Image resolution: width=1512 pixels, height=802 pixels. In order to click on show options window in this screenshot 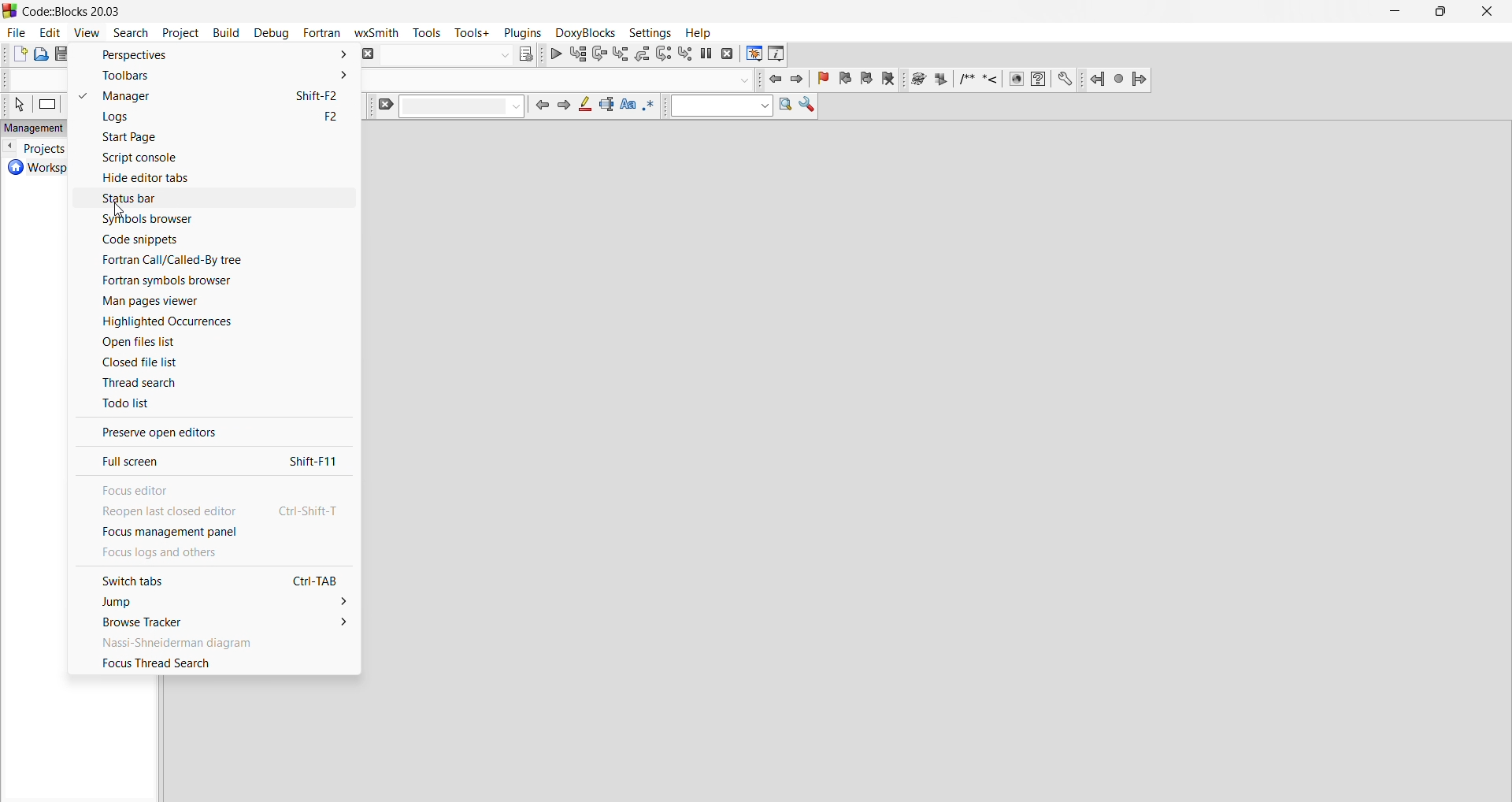, I will do `click(808, 107)`.